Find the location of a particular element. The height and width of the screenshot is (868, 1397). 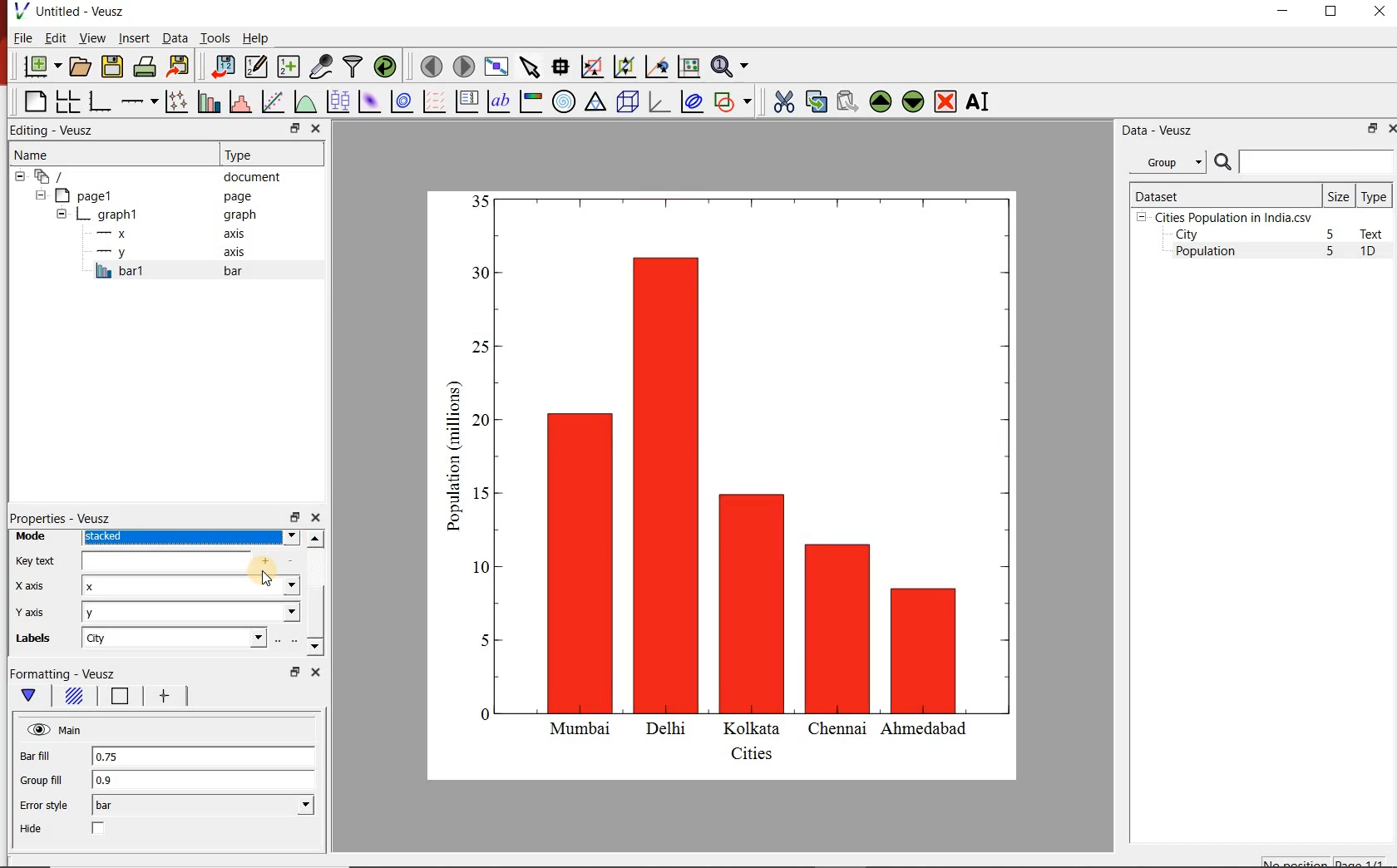

read data points on the graph is located at coordinates (560, 65).